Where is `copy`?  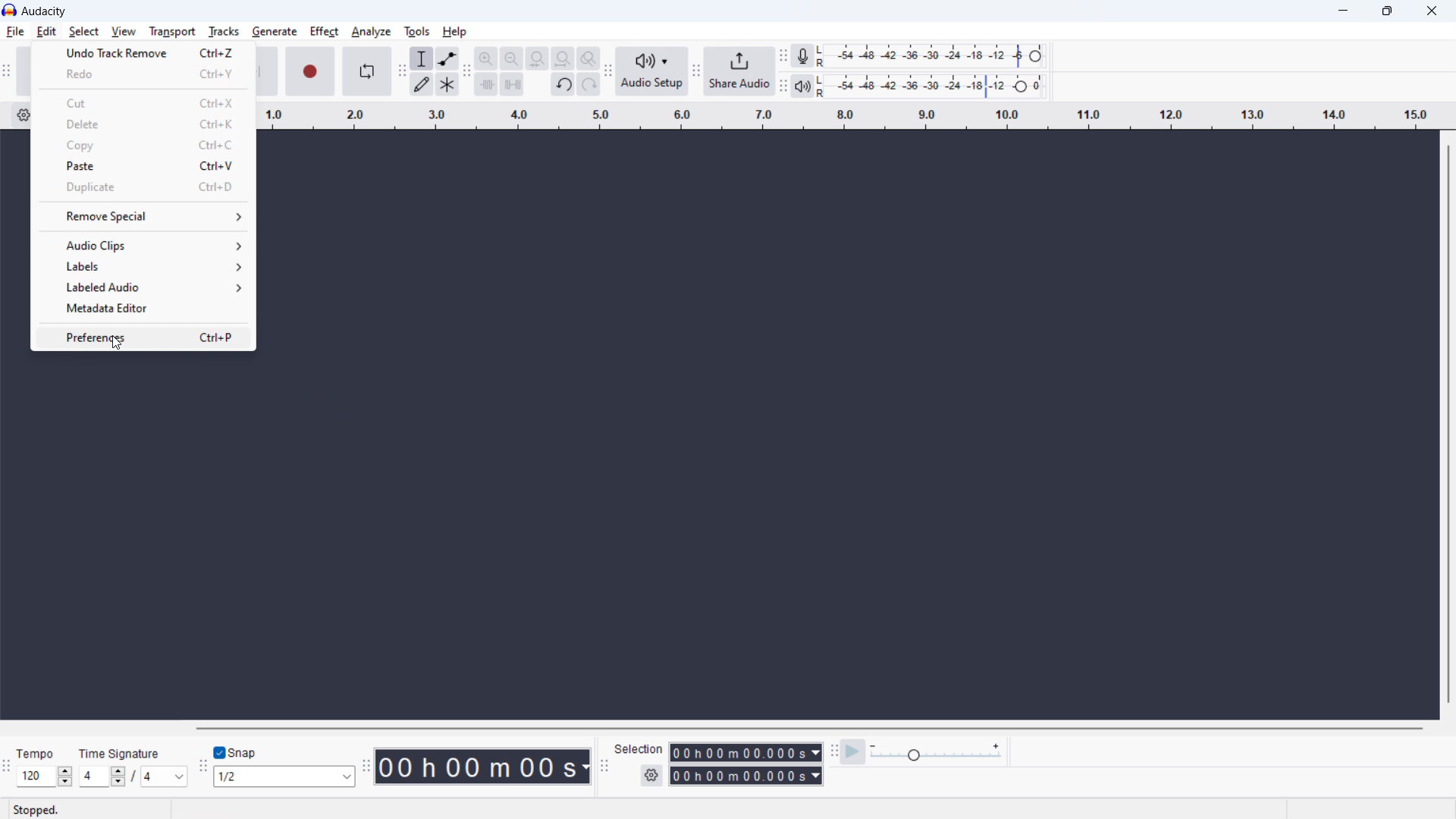 copy is located at coordinates (142, 146).